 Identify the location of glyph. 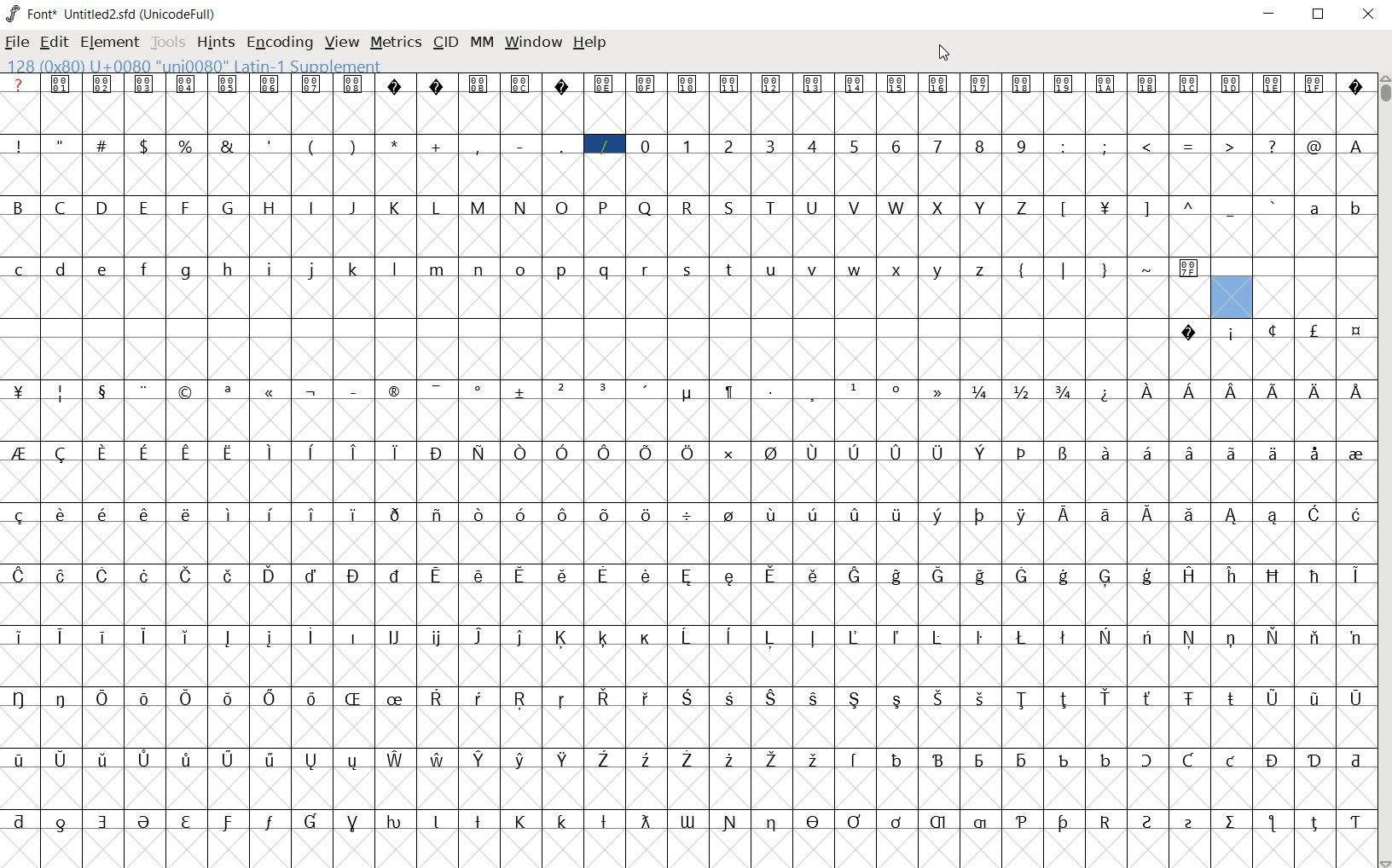
(1189, 84).